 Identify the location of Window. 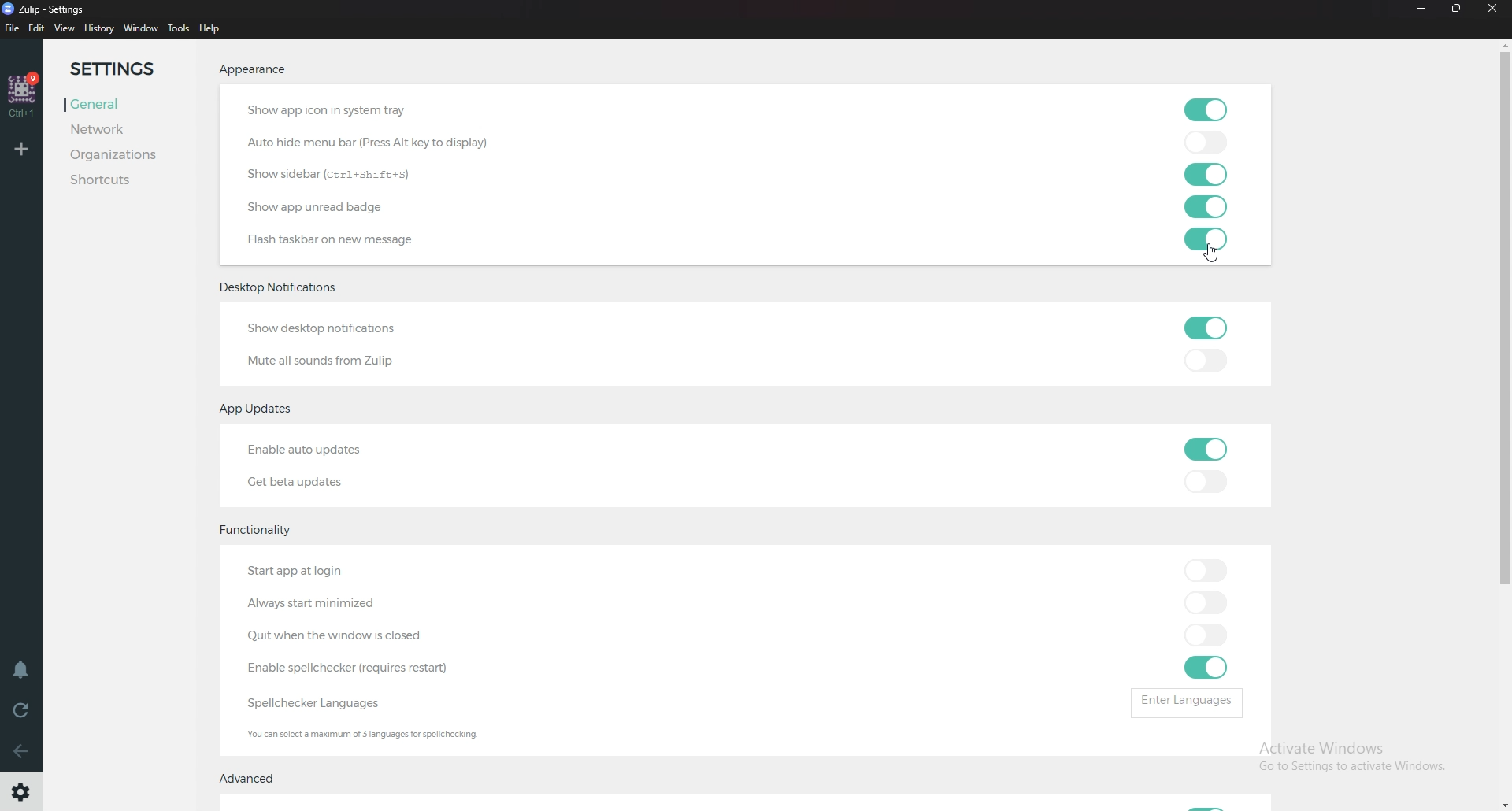
(141, 28).